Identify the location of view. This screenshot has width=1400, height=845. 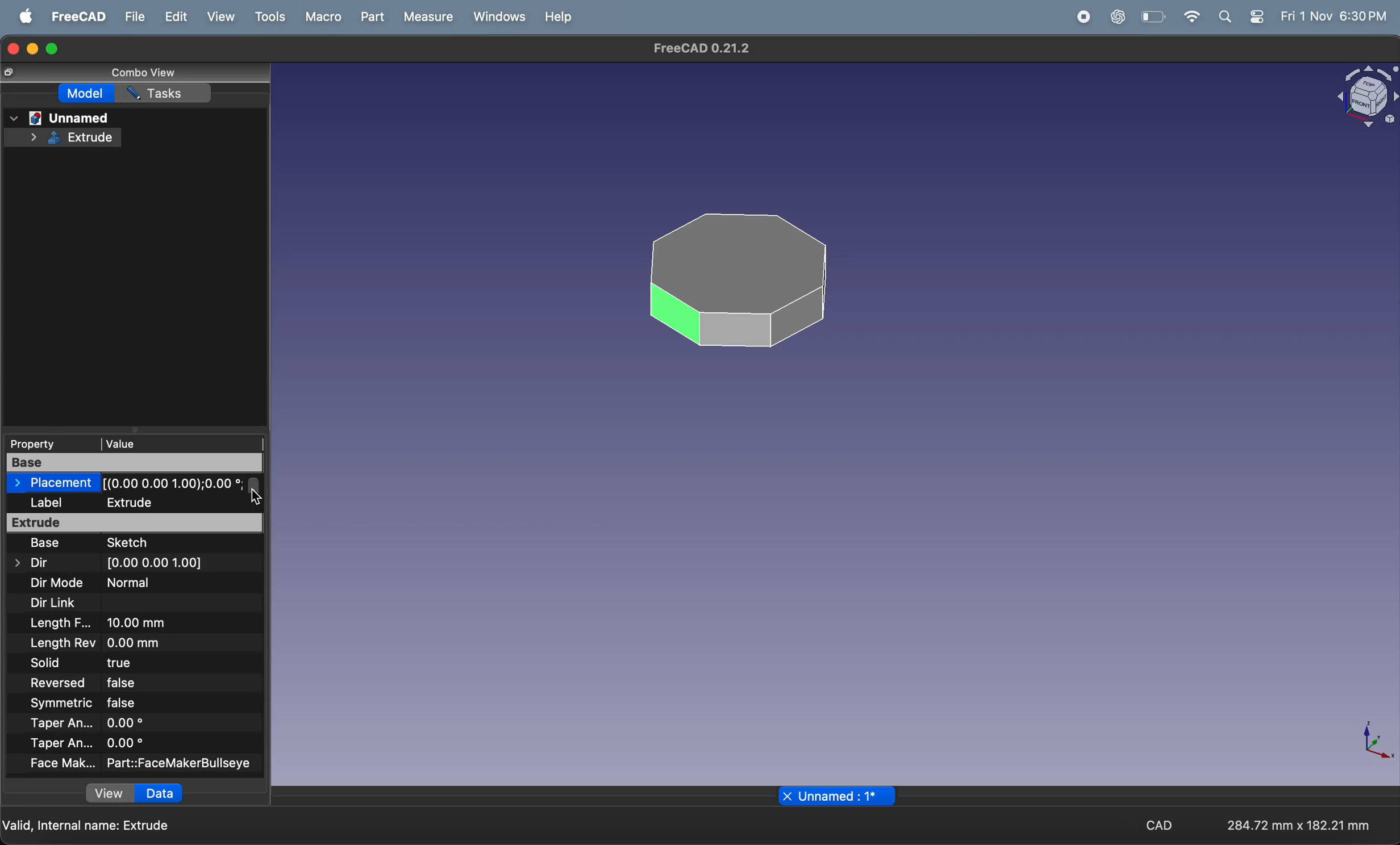
(220, 18).